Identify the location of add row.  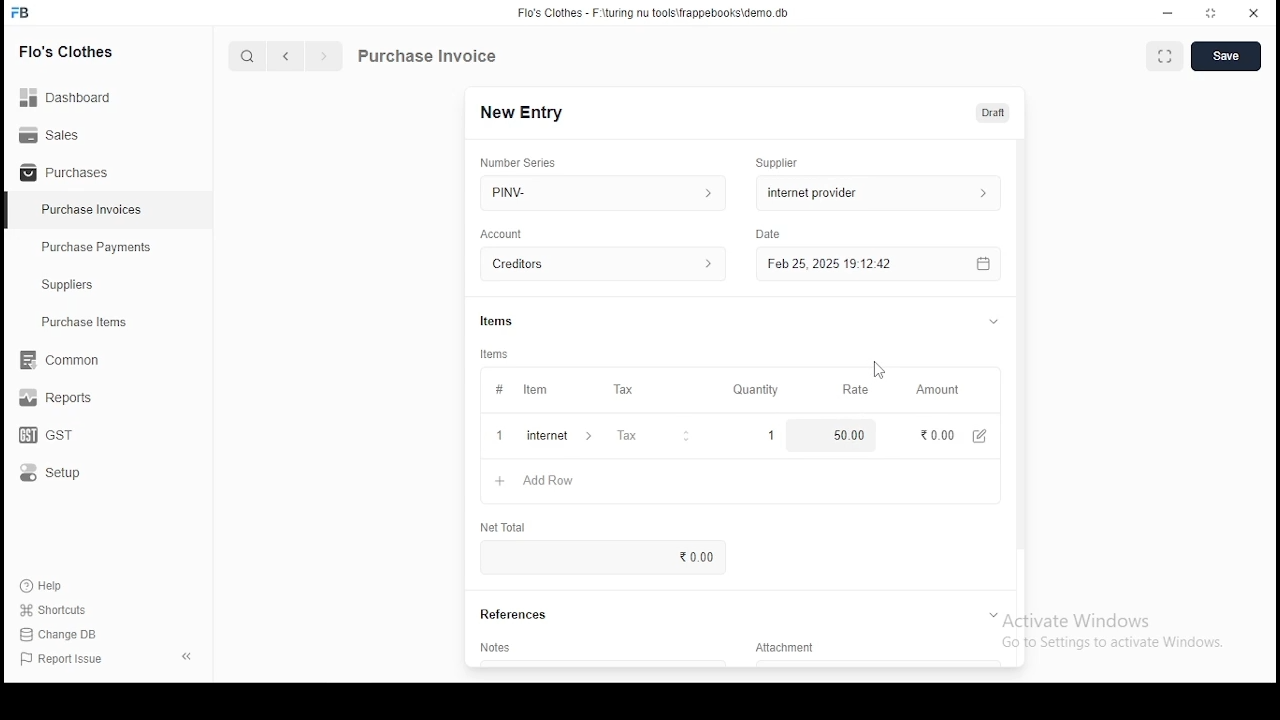
(541, 481).